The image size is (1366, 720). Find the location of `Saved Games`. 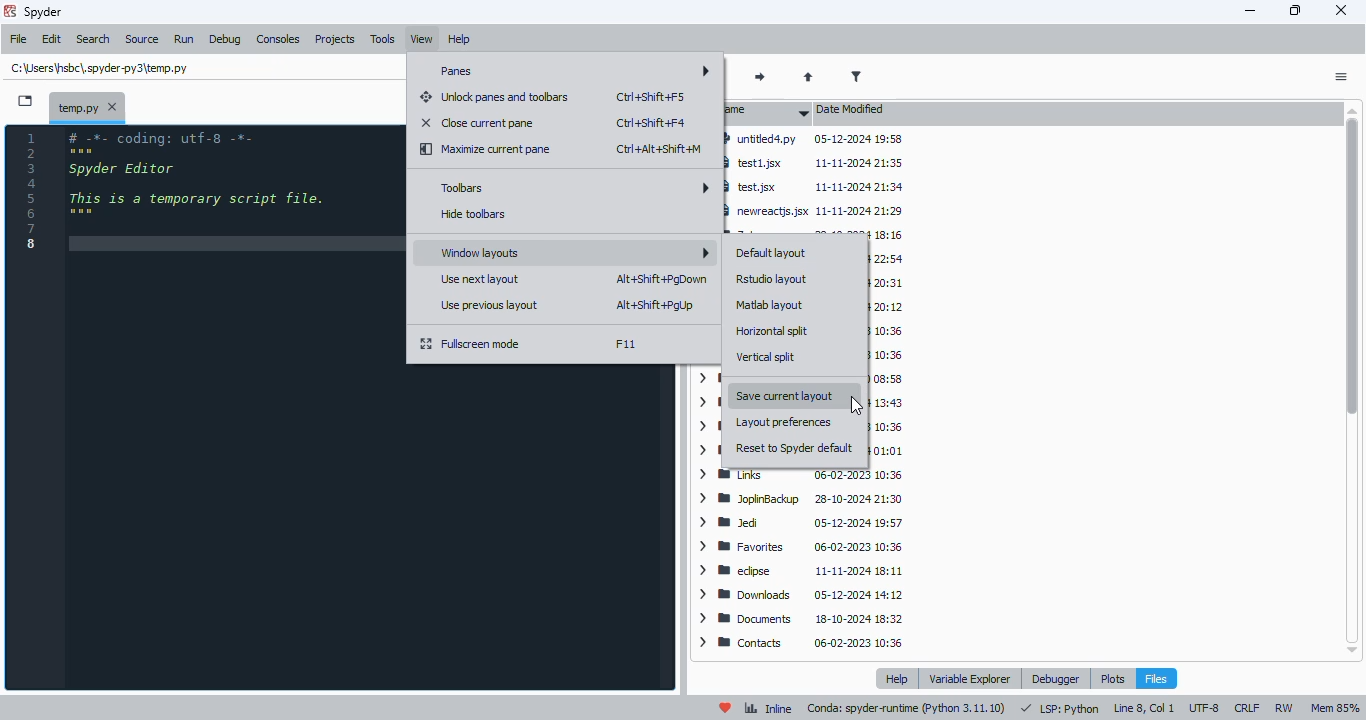

Saved Games is located at coordinates (883, 354).